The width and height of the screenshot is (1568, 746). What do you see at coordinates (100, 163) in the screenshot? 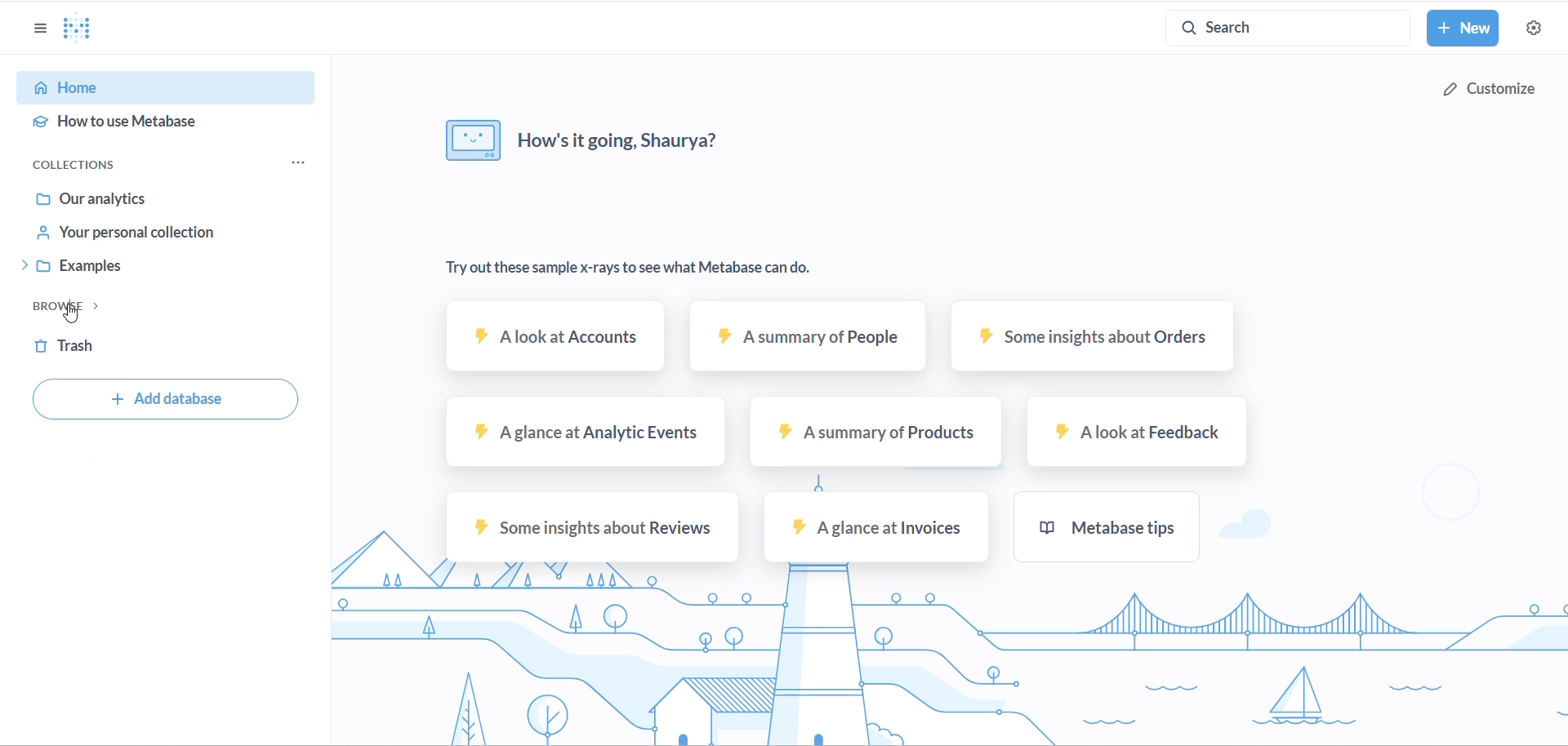
I see `COLLECTIONS` at bounding box center [100, 163].